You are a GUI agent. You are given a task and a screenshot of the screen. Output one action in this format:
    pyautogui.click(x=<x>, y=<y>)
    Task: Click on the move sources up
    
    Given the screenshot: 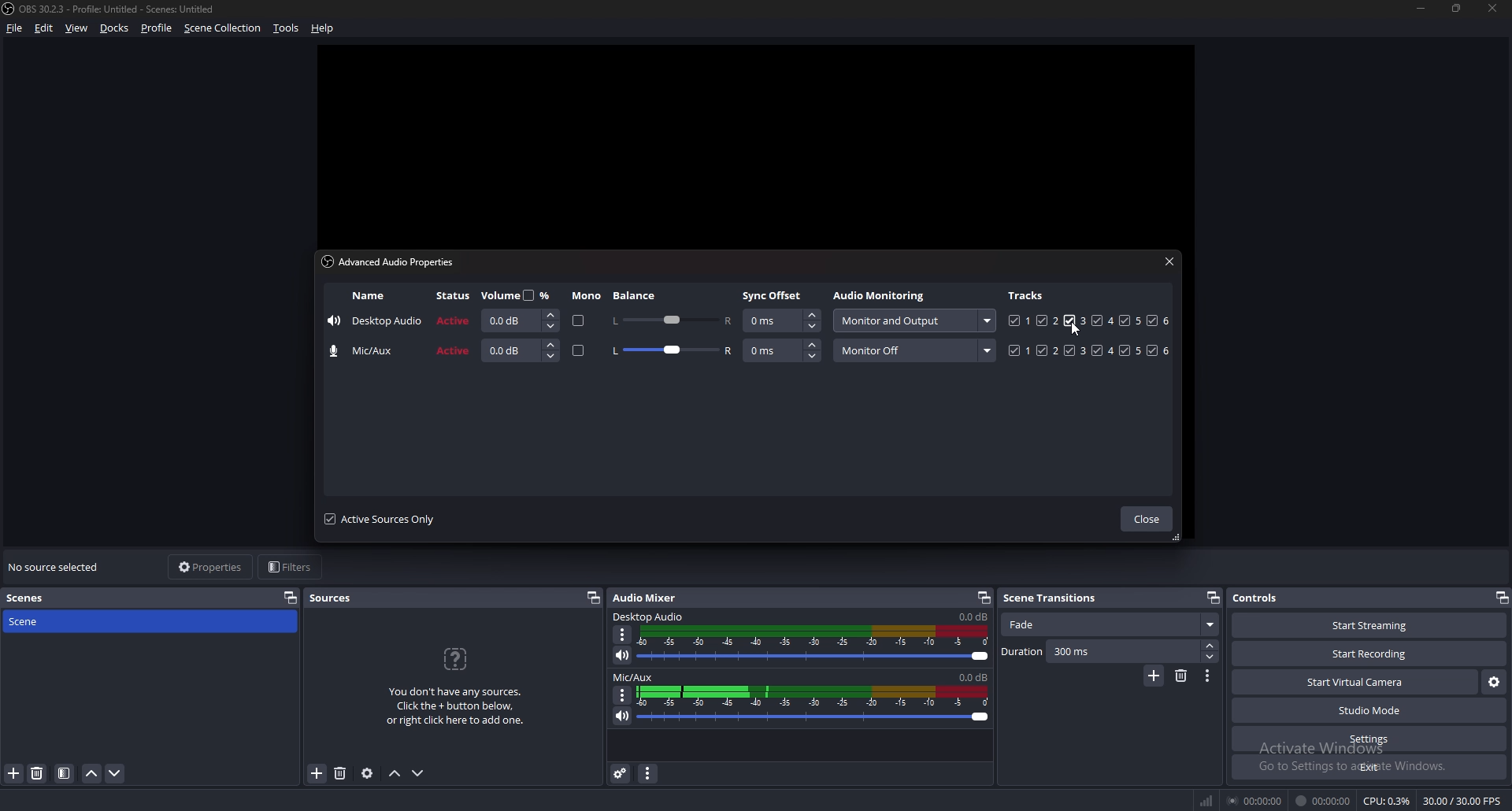 What is the action you would take?
    pyautogui.click(x=395, y=773)
    